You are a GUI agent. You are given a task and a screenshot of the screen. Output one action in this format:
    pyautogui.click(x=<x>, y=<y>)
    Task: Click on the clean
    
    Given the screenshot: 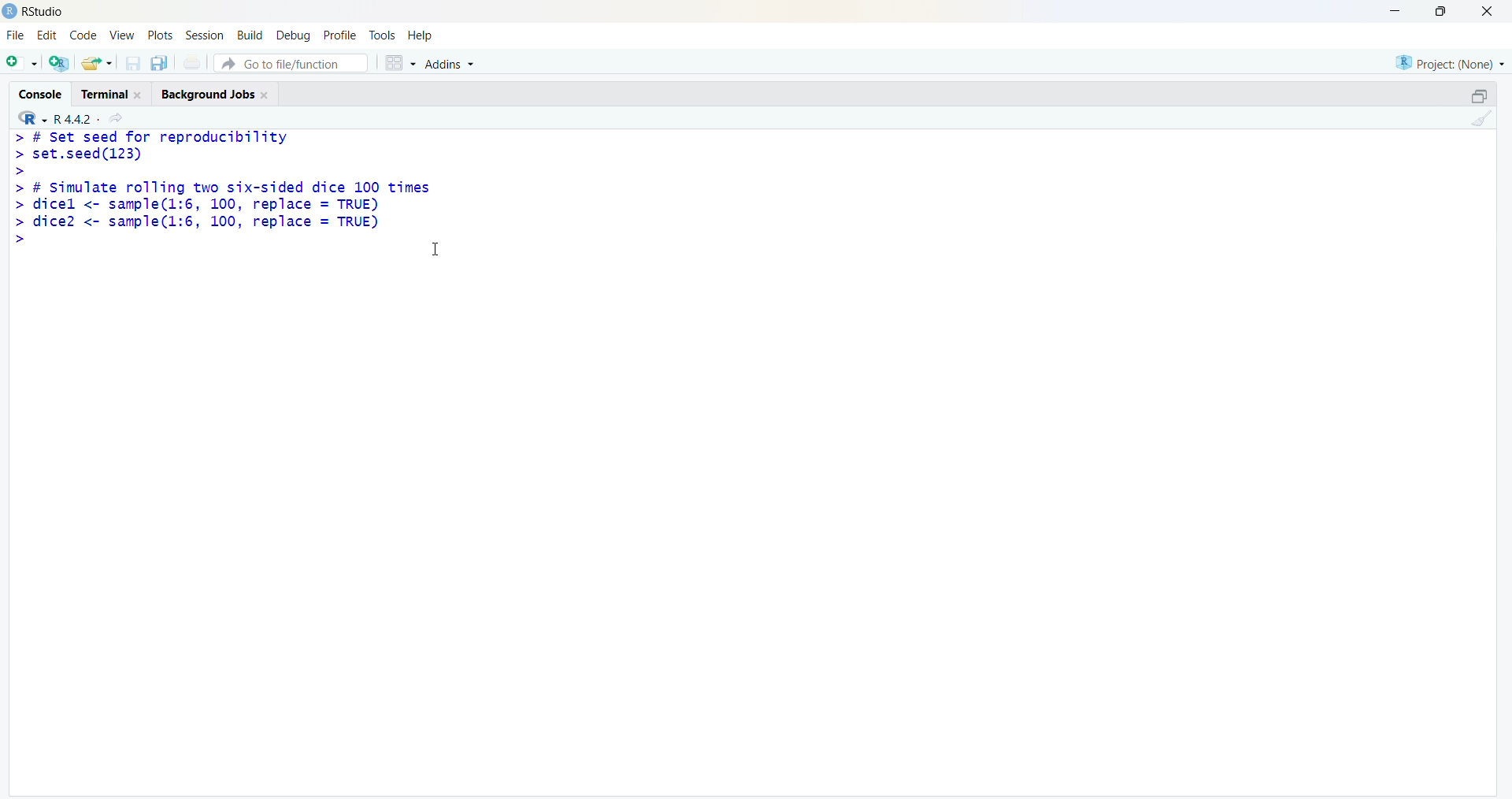 What is the action you would take?
    pyautogui.click(x=1482, y=117)
    